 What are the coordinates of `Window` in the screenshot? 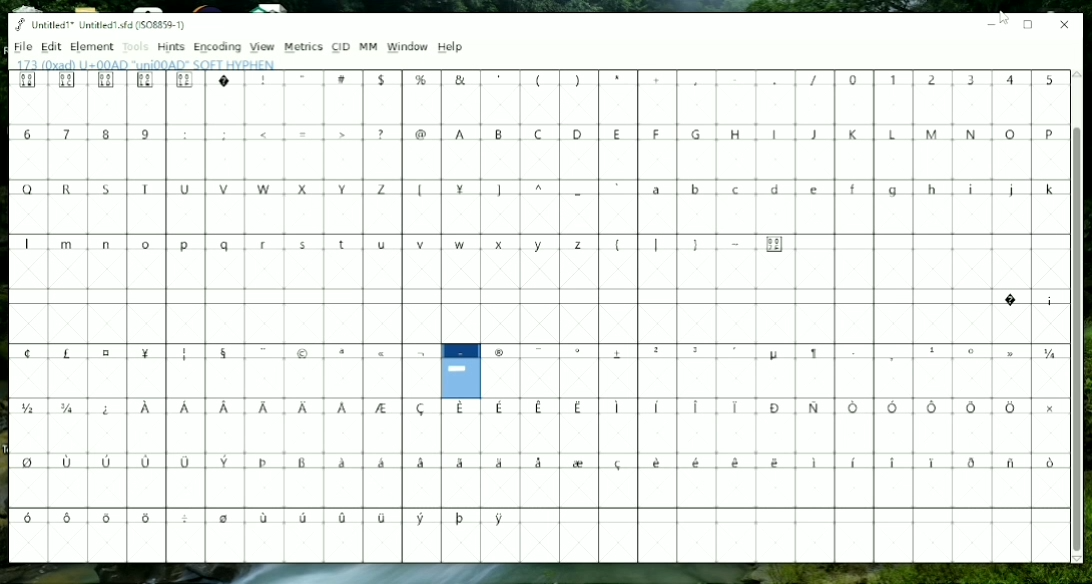 It's located at (407, 47).